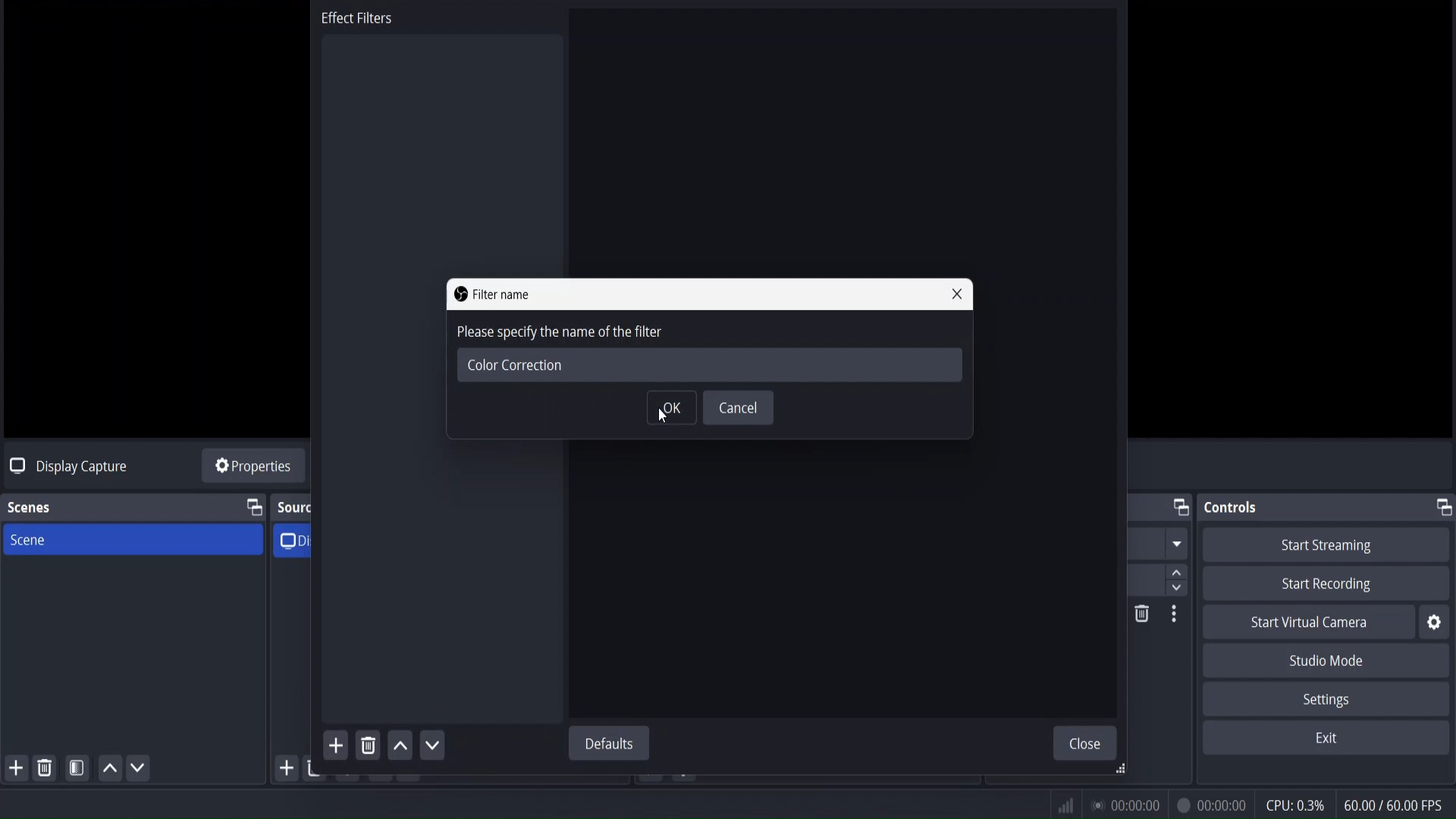 This screenshot has height=819, width=1456. What do you see at coordinates (1323, 699) in the screenshot?
I see `settings` at bounding box center [1323, 699].